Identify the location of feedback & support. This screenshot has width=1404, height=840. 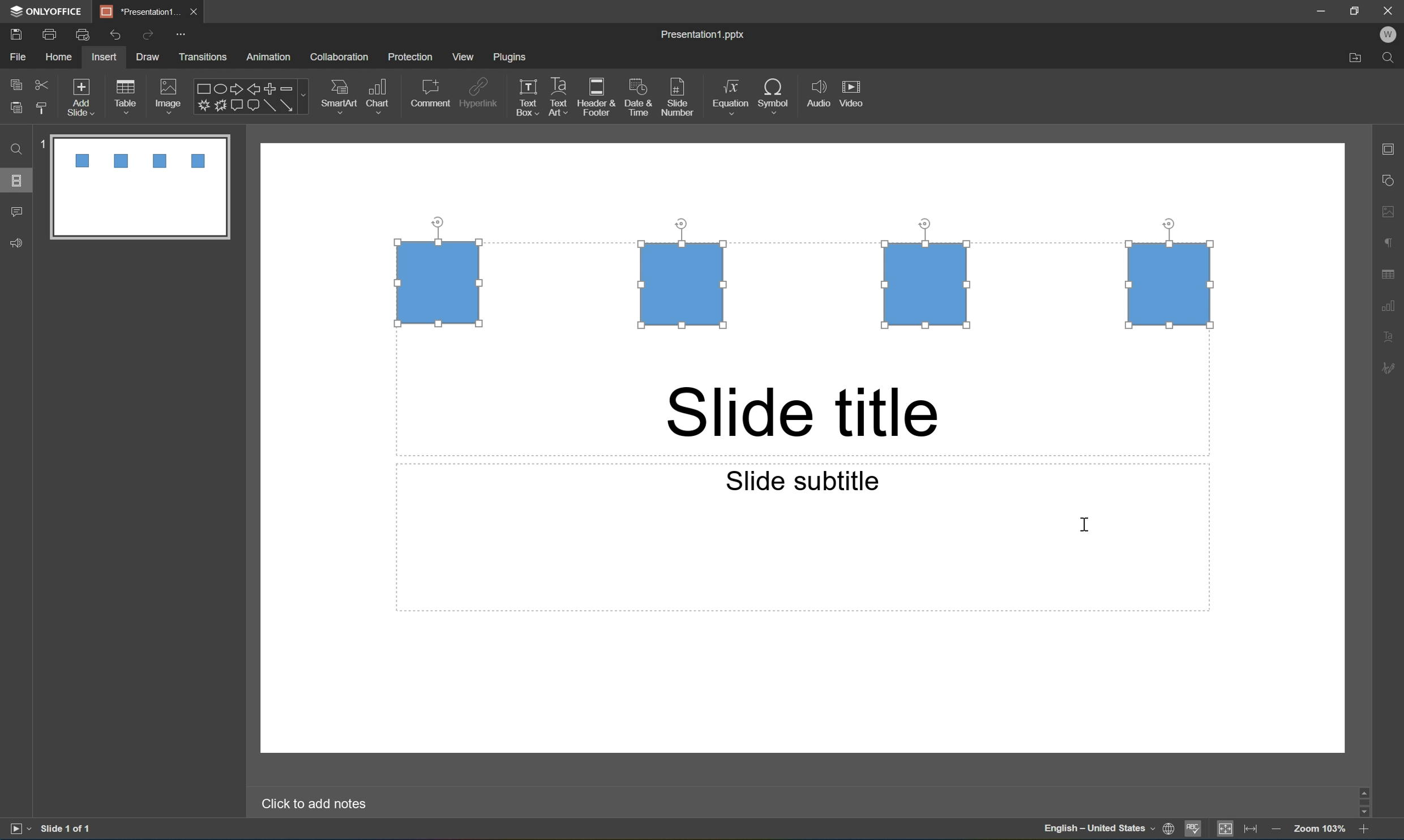
(15, 243).